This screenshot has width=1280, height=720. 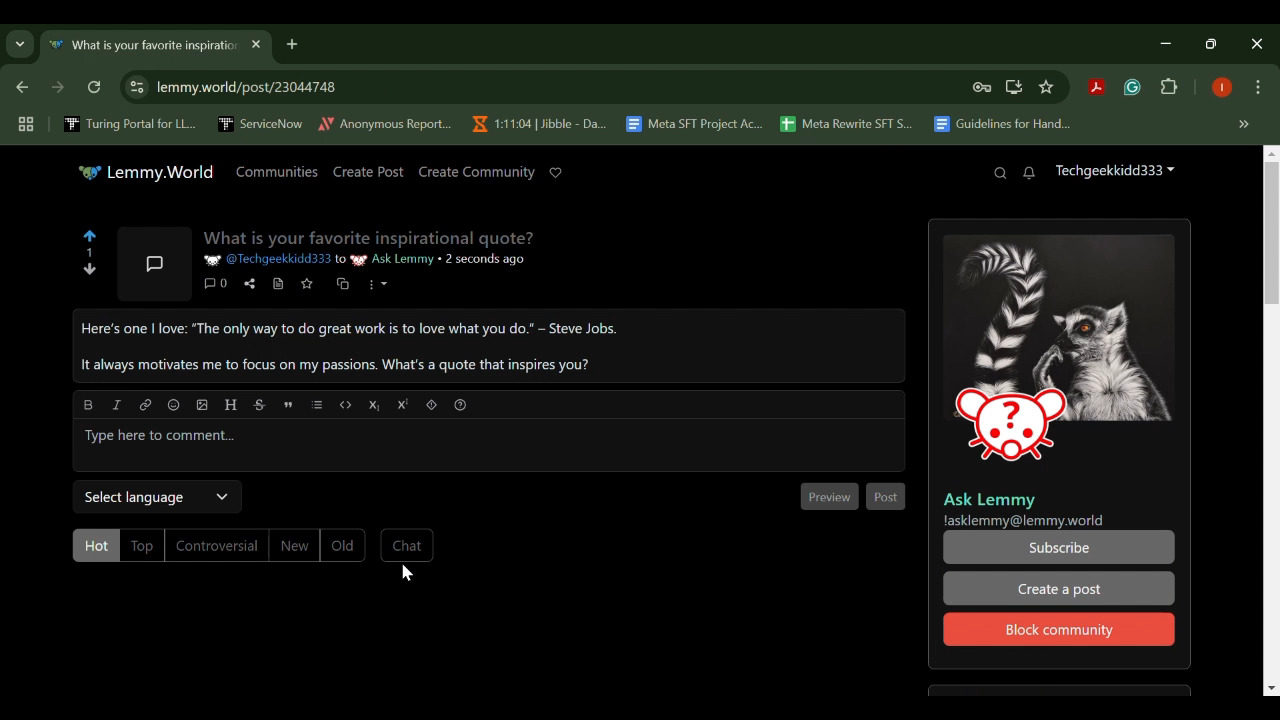 What do you see at coordinates (232, 405) in the screenshot?
I see `header` at bounding box center [232, 405].